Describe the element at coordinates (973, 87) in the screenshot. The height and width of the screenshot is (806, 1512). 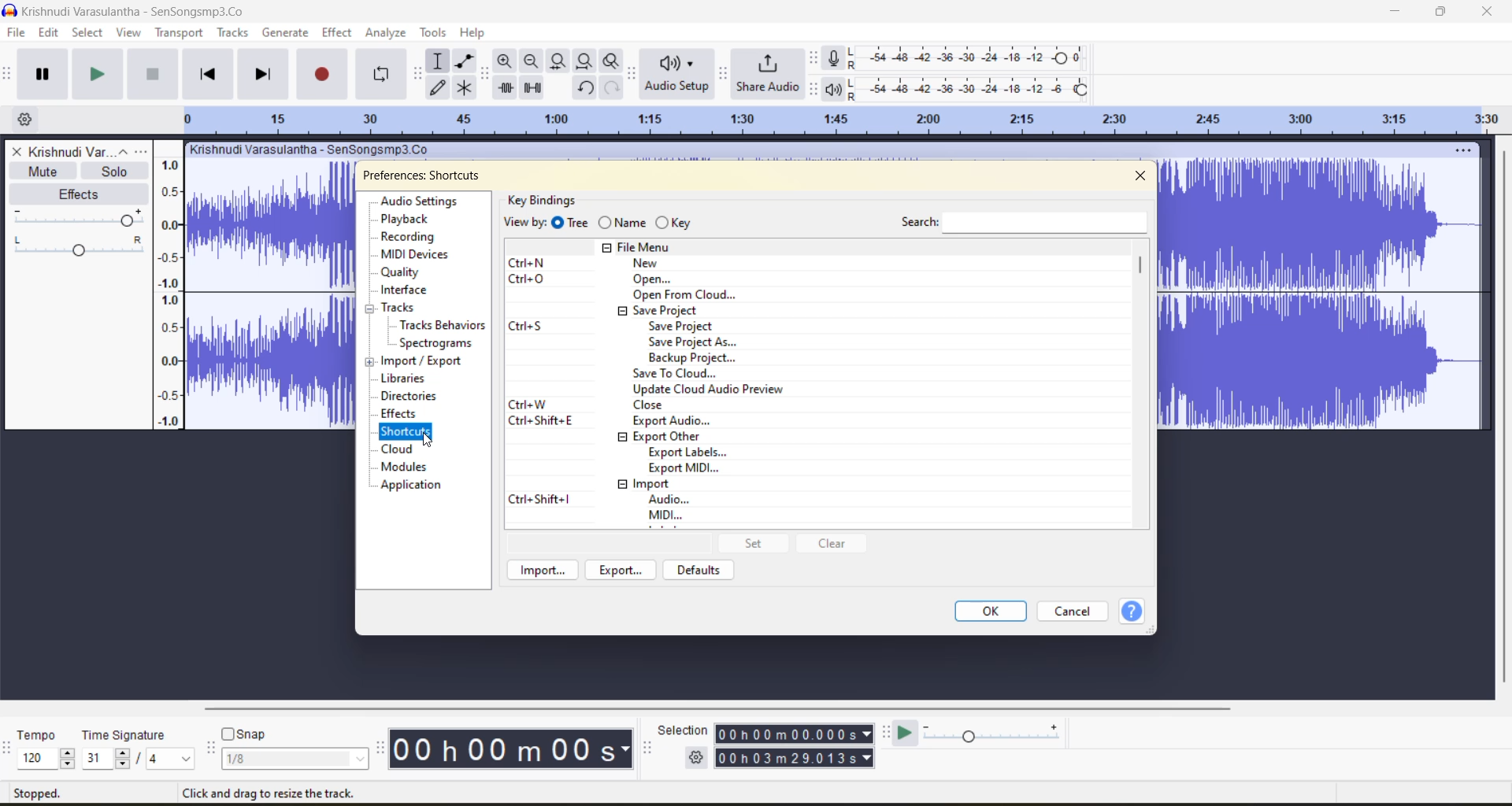
I see `playback level` at that location.